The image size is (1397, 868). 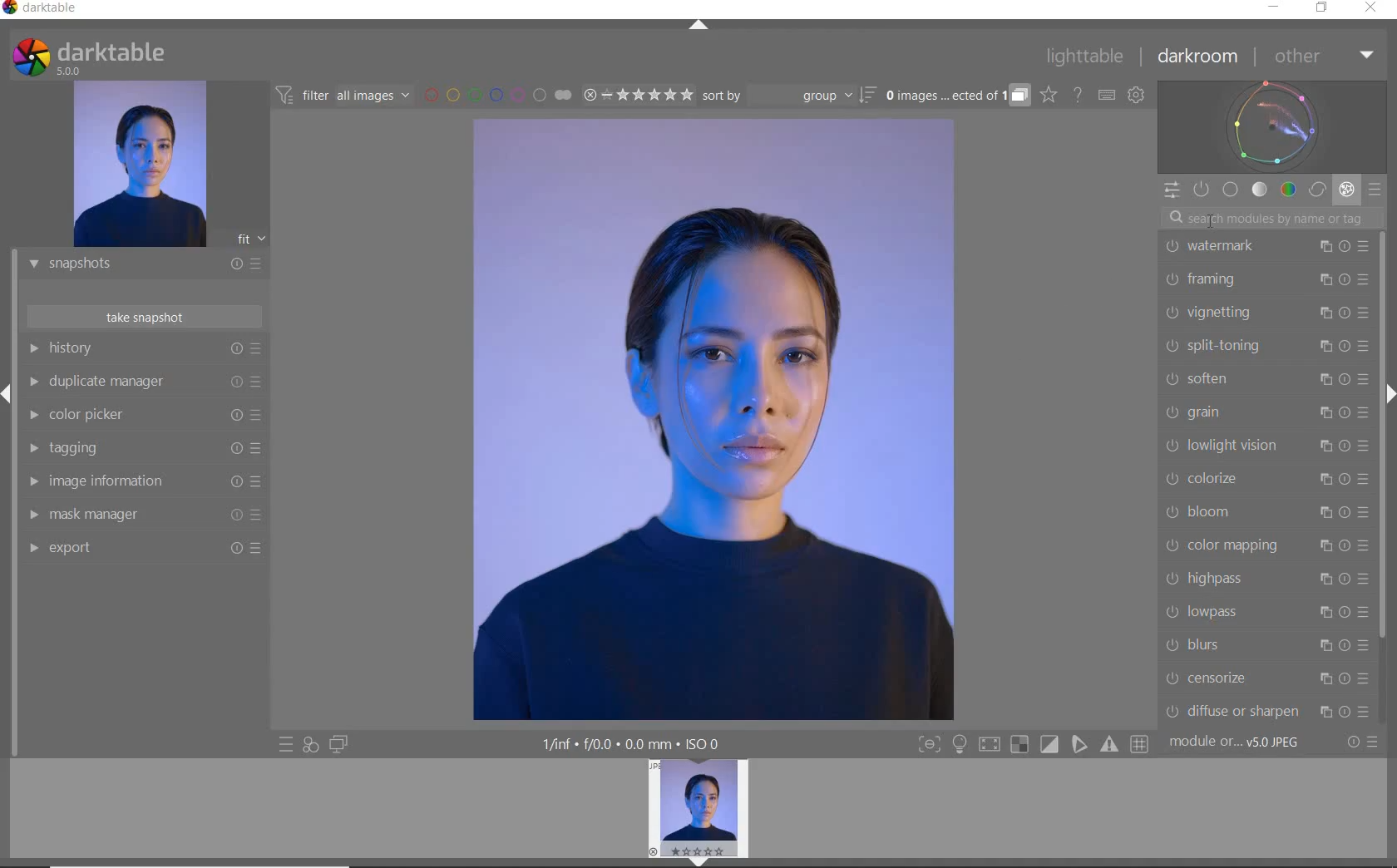 I want to click on Expand/Collapse, so click(x=1388, y=392).